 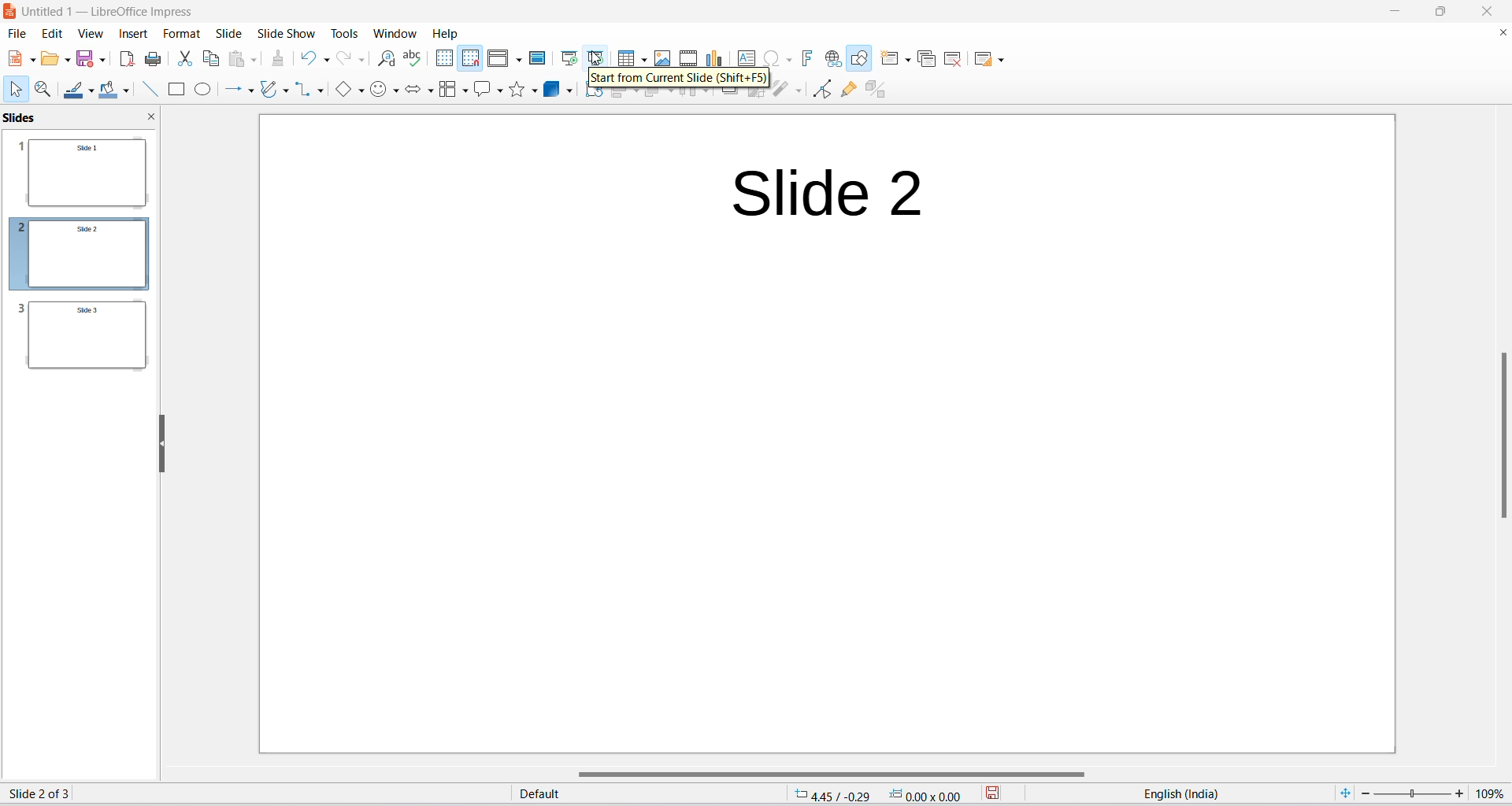 I want to click on object distribute, so click(x=711, y=96).